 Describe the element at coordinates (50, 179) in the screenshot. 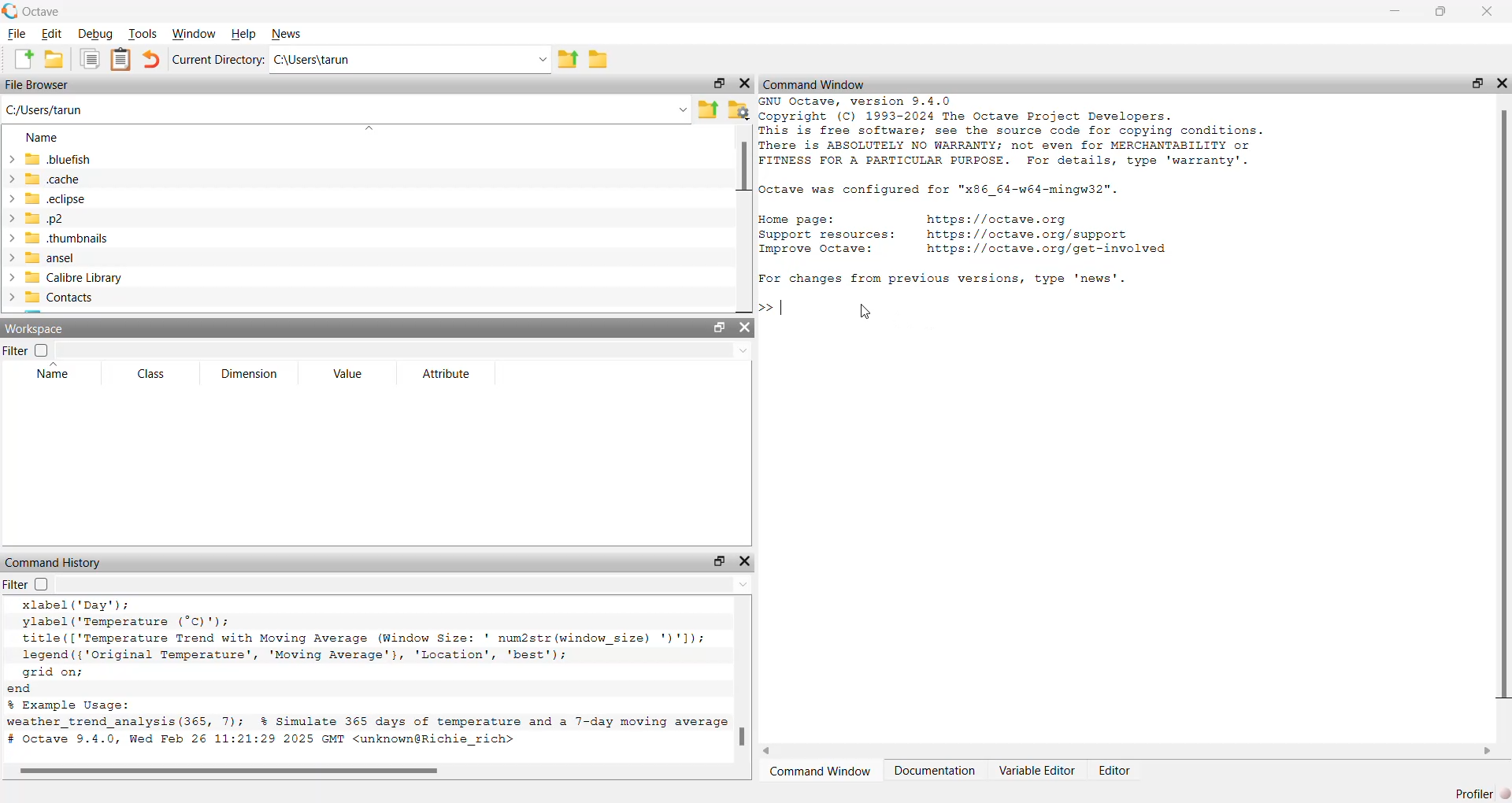

I see `«cache` at that location.